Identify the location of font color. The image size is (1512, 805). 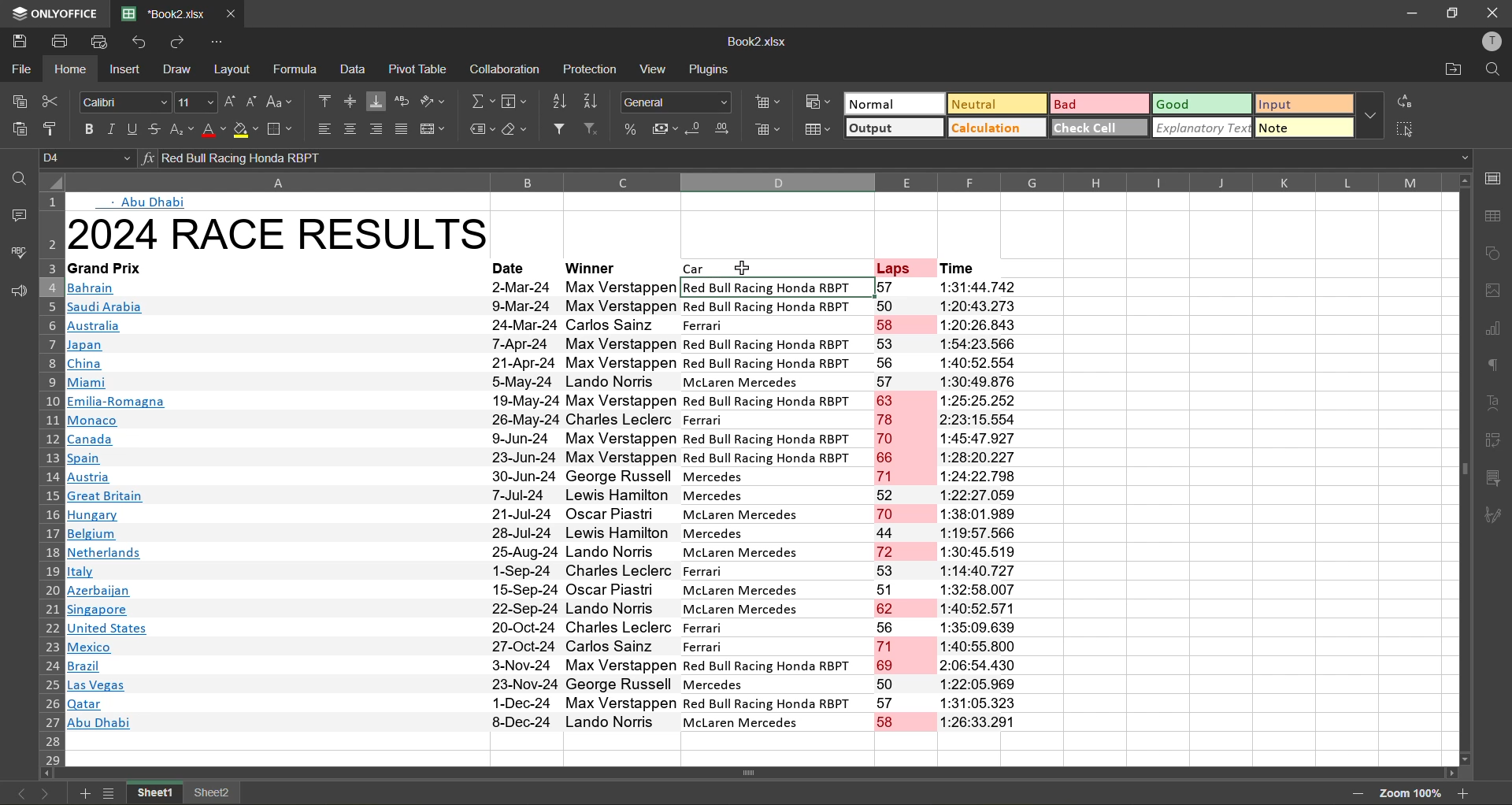
(215, 132).